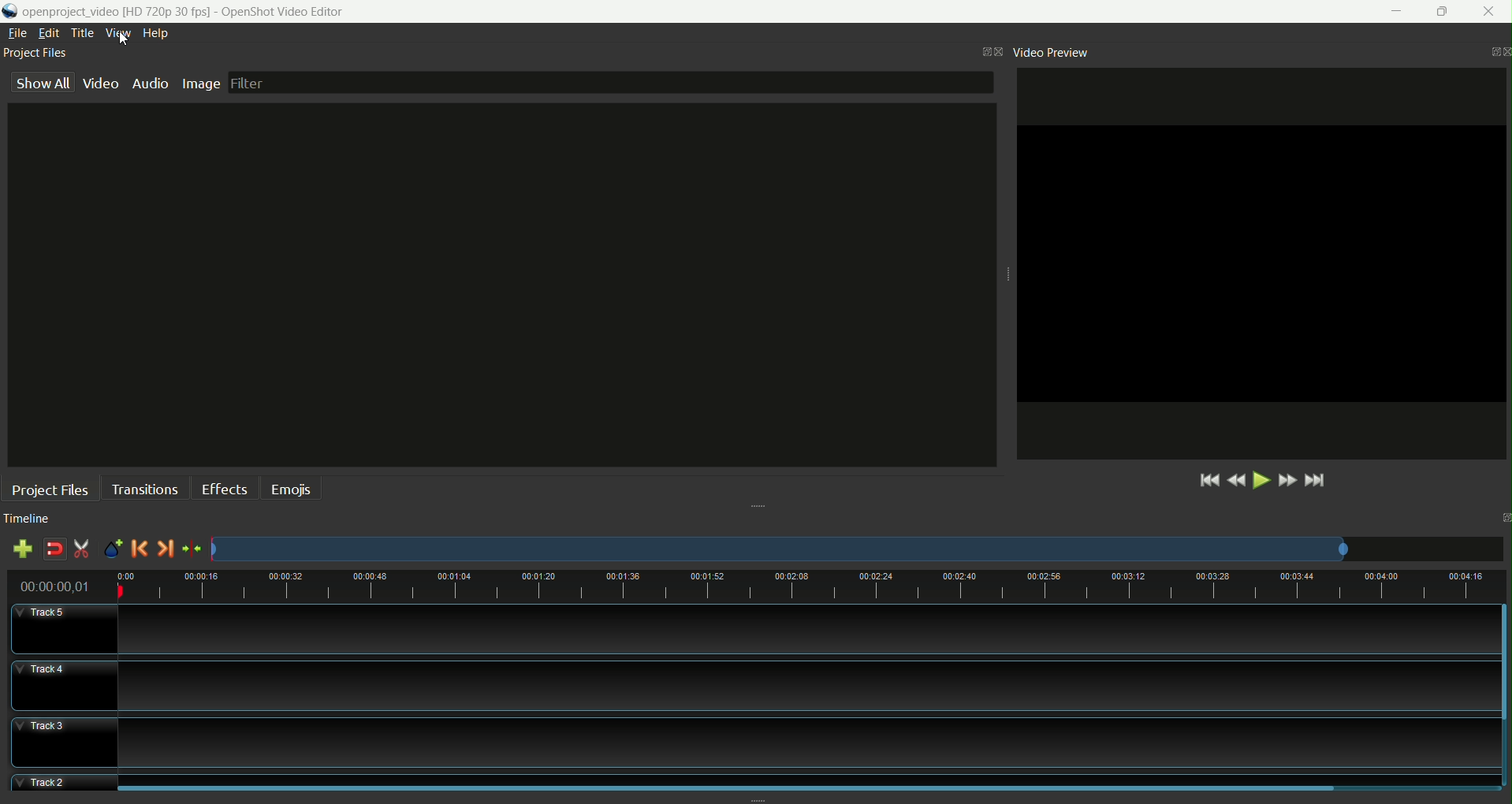 This screenshot has height=804, width=1512. I want to click on next marker, so click(166, 549).